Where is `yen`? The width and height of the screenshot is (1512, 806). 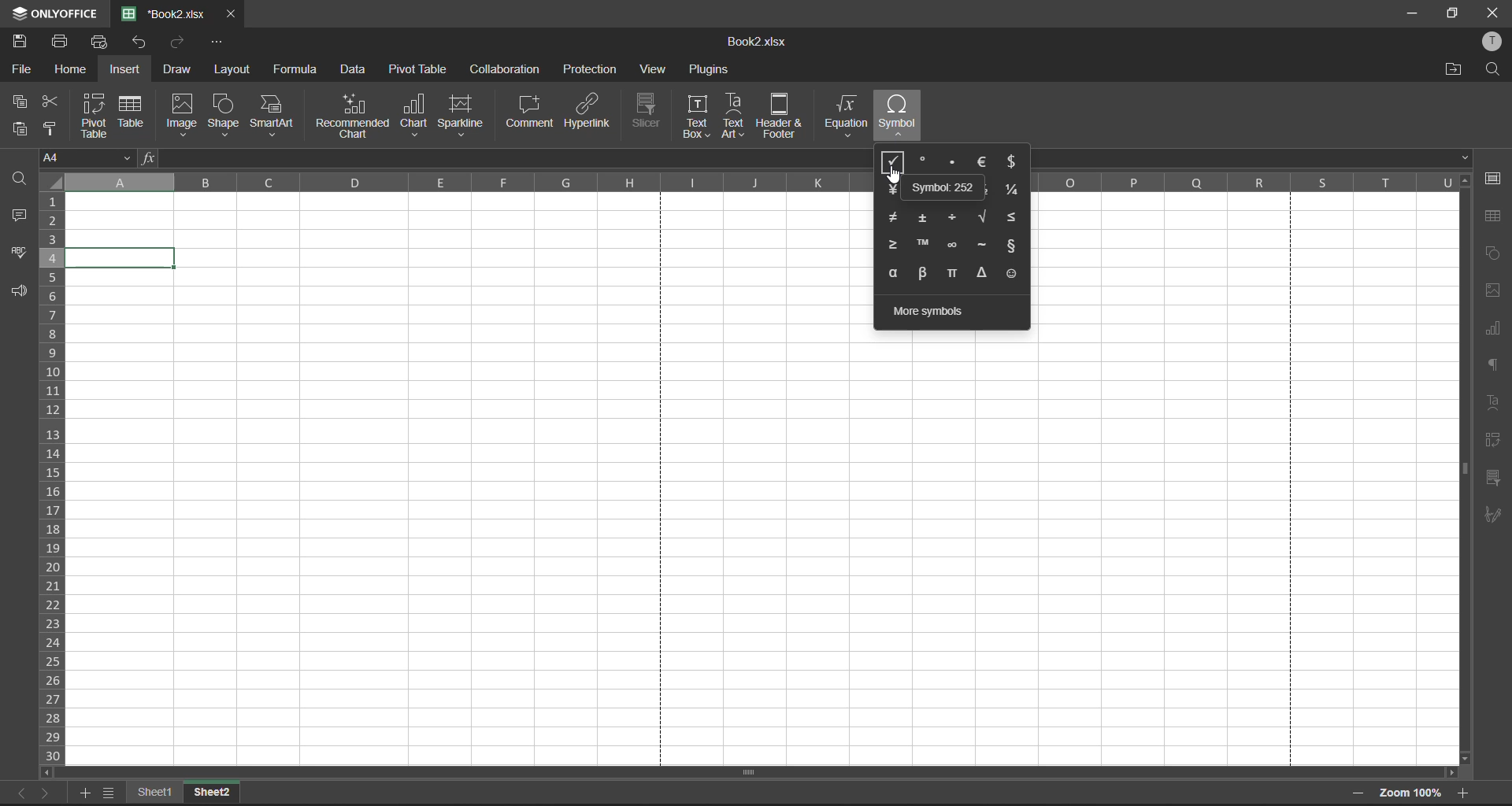
yen is located at coordinates (891, 186).